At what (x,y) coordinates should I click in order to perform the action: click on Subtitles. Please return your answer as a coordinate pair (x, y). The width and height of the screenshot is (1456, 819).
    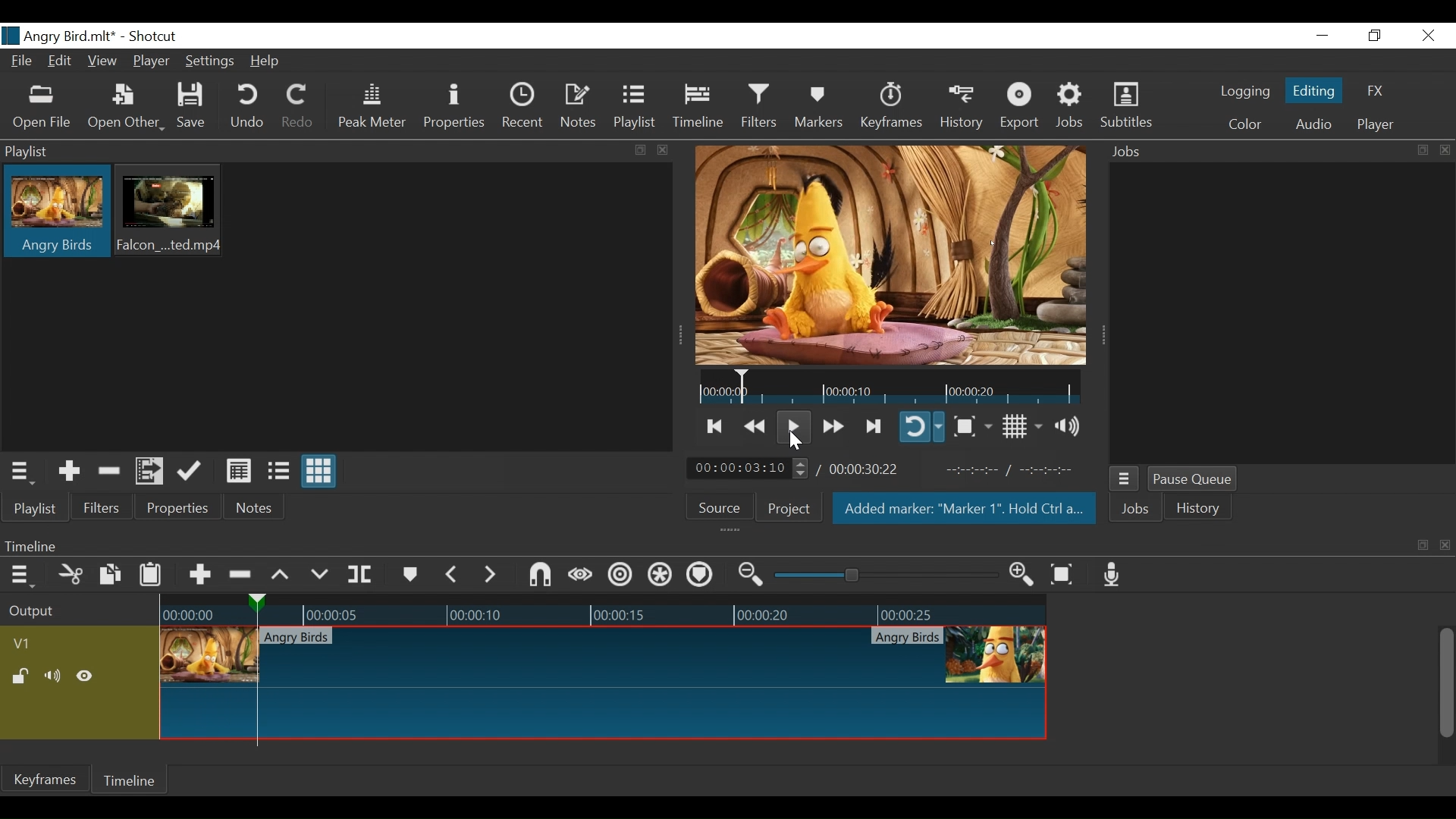
    Looking at the image, I should click on (1128, 107).